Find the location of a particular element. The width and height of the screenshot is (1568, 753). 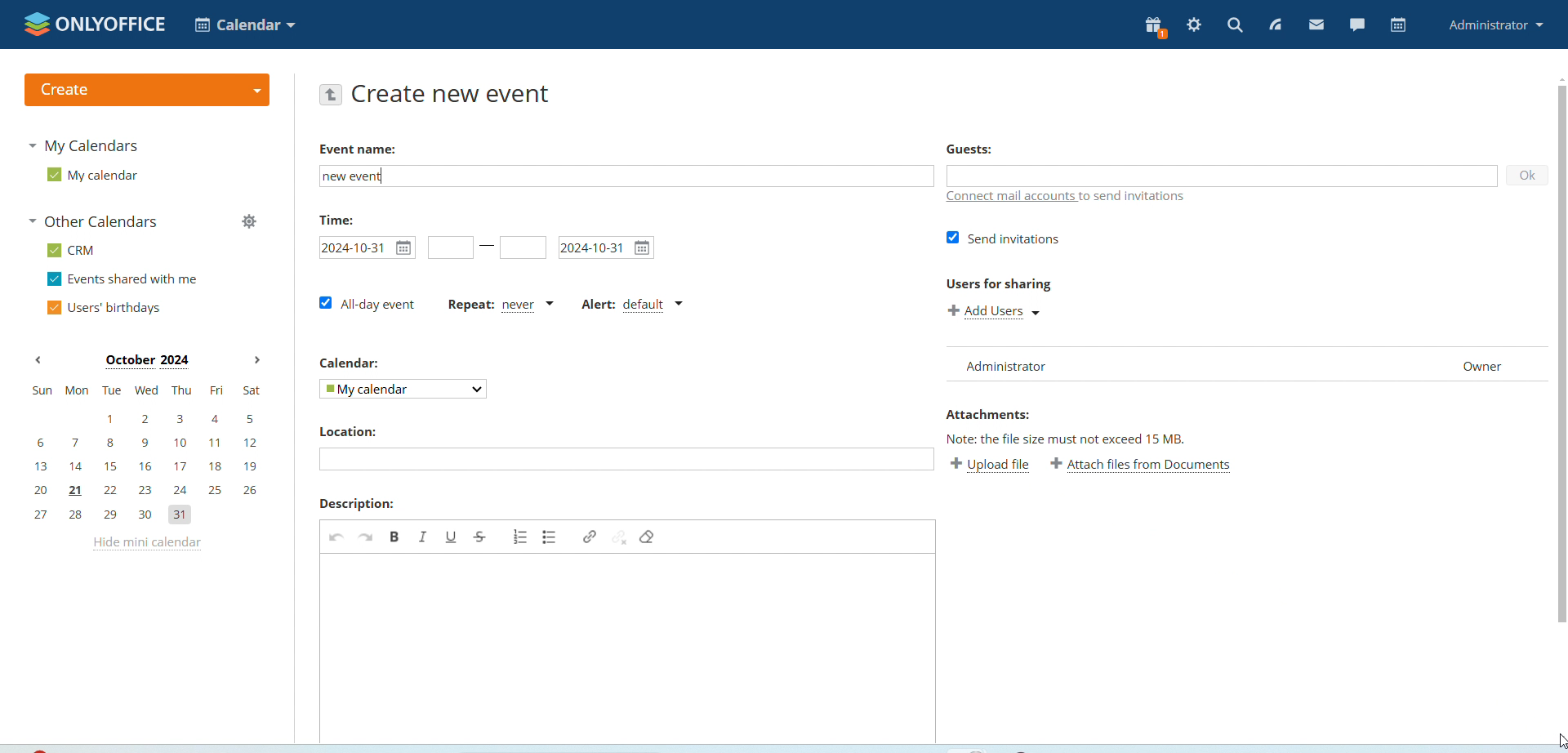

scroll up is located at coordinates (1558, 78).